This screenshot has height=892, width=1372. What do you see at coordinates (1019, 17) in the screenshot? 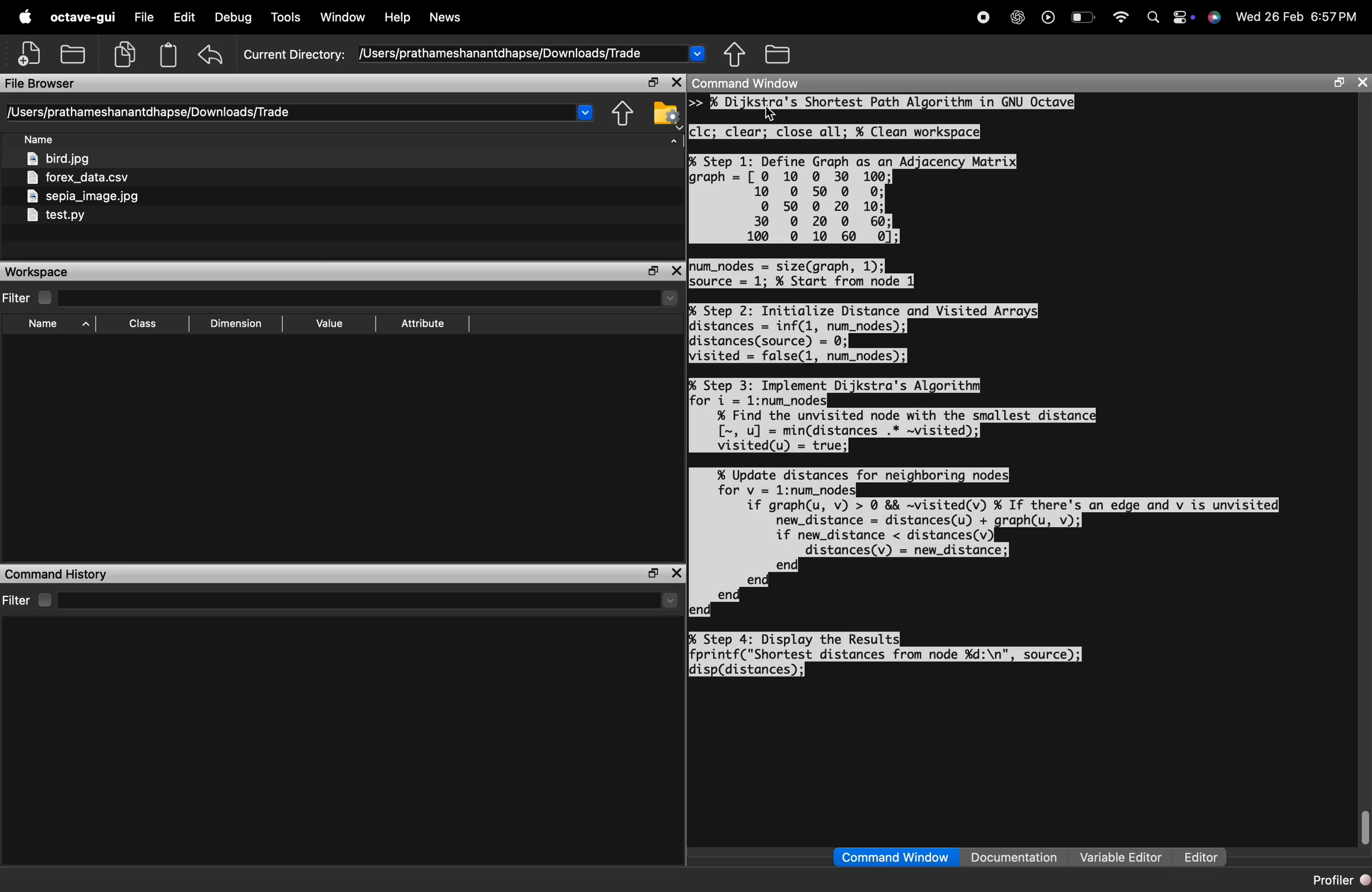
I see `chatgpt` at bounding box center [1019, 17].